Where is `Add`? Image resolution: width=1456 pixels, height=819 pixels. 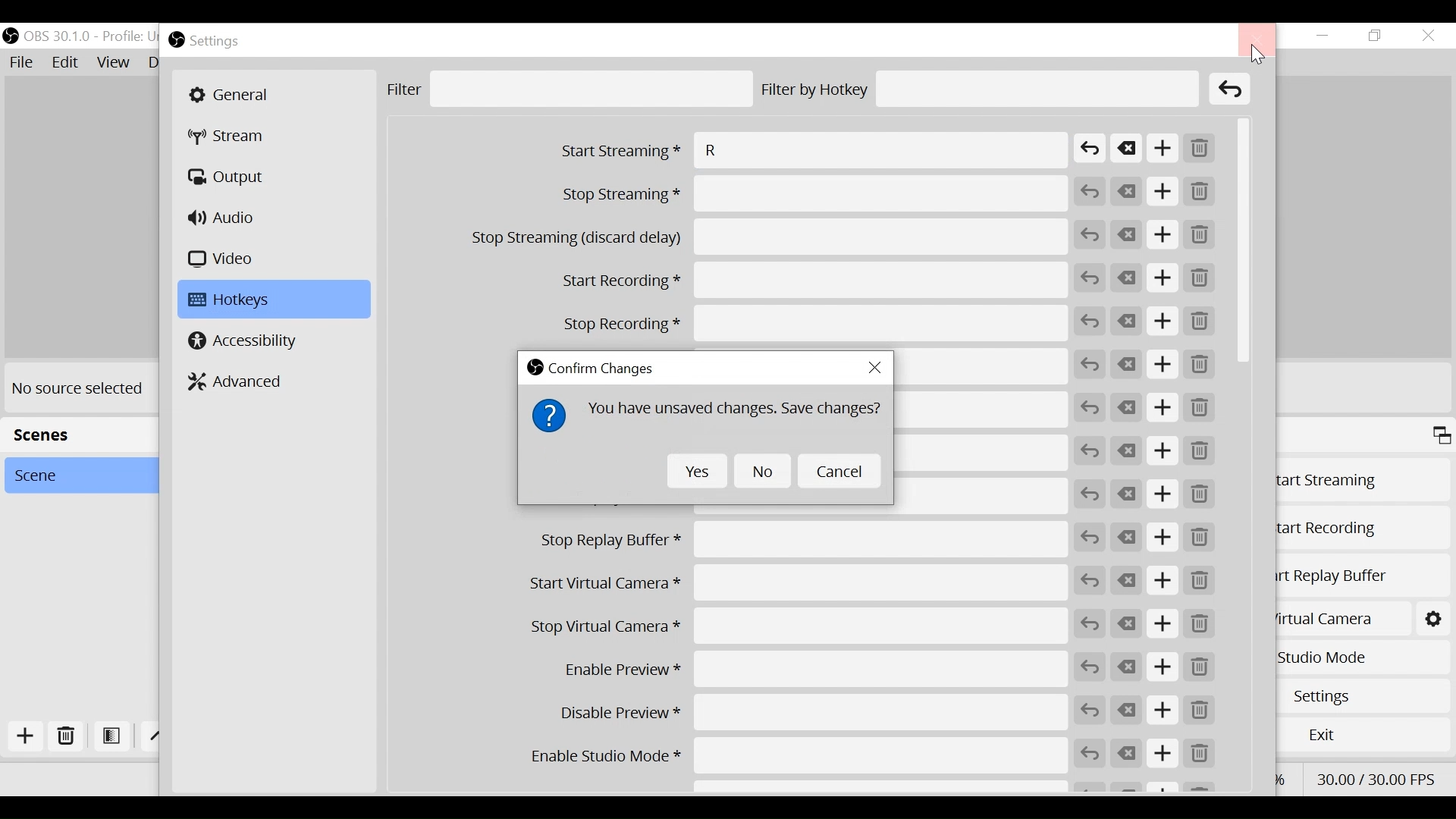 Add is located at coordinates (1164, 669).